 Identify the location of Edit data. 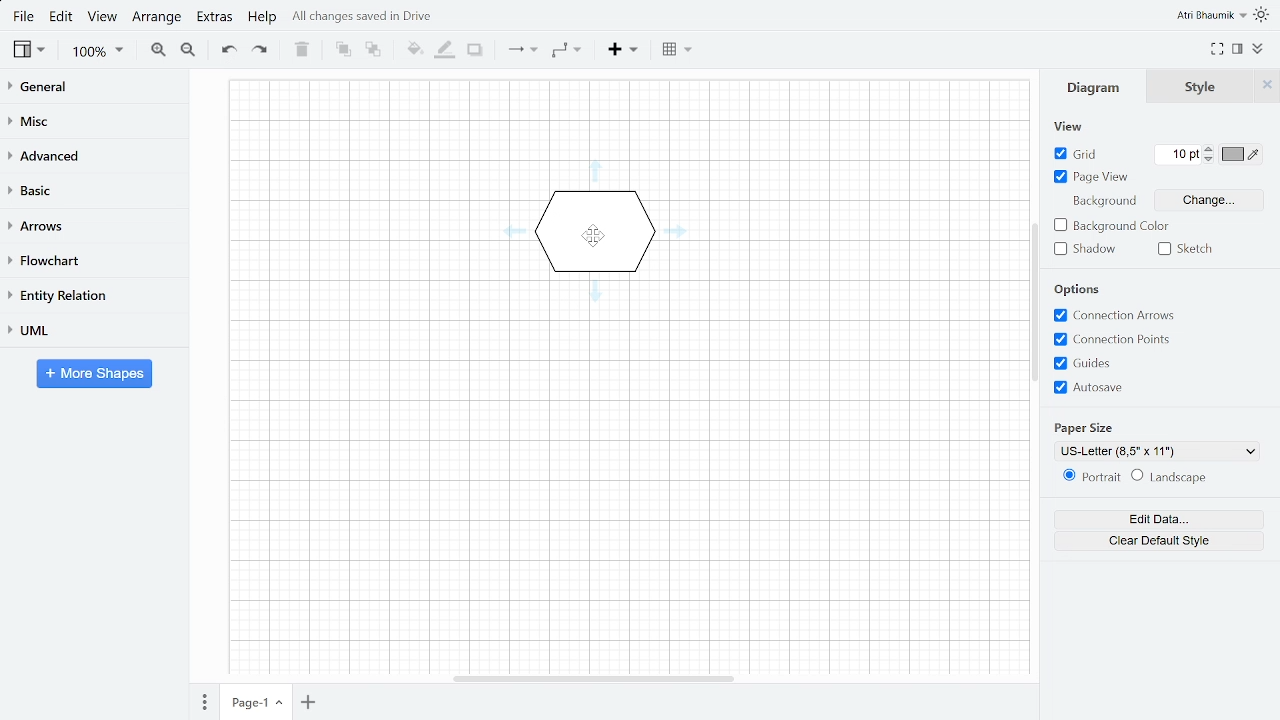
(1158, 520).